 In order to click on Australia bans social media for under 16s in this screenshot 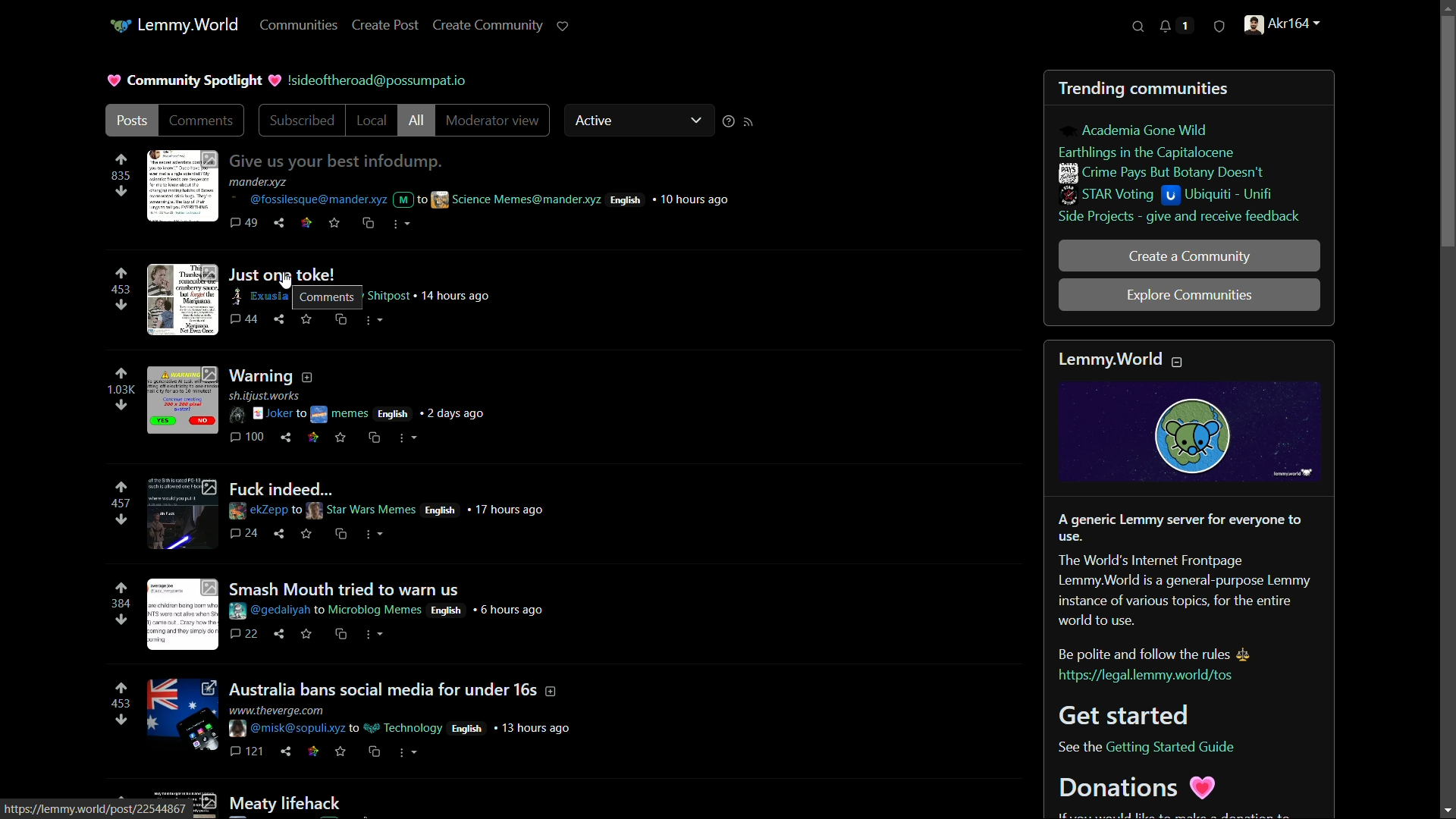, I will do `click(383, 687)`.